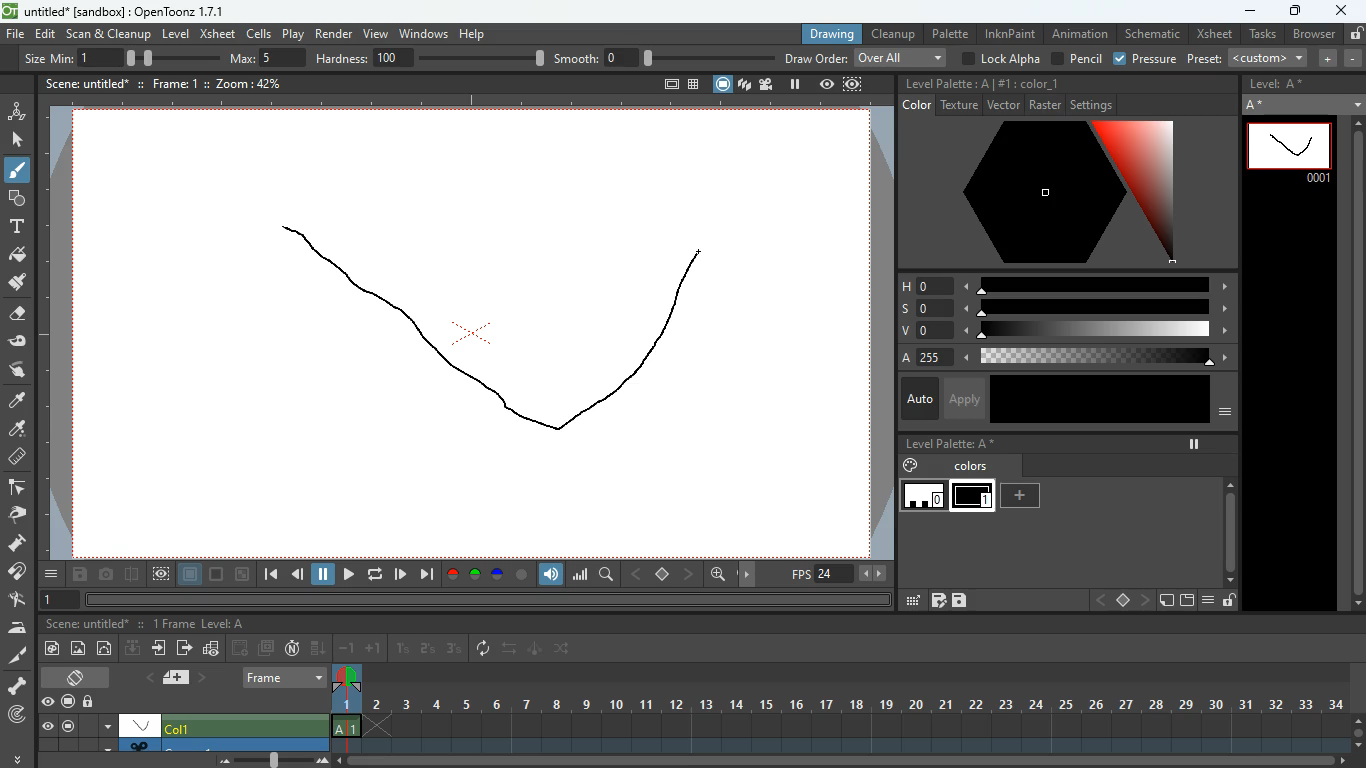 This screenshot has width=1366, height=768. What do you see at coordinates (1060, 358) in the screenshot?
I see `a` at bounding box center [1060, 358].